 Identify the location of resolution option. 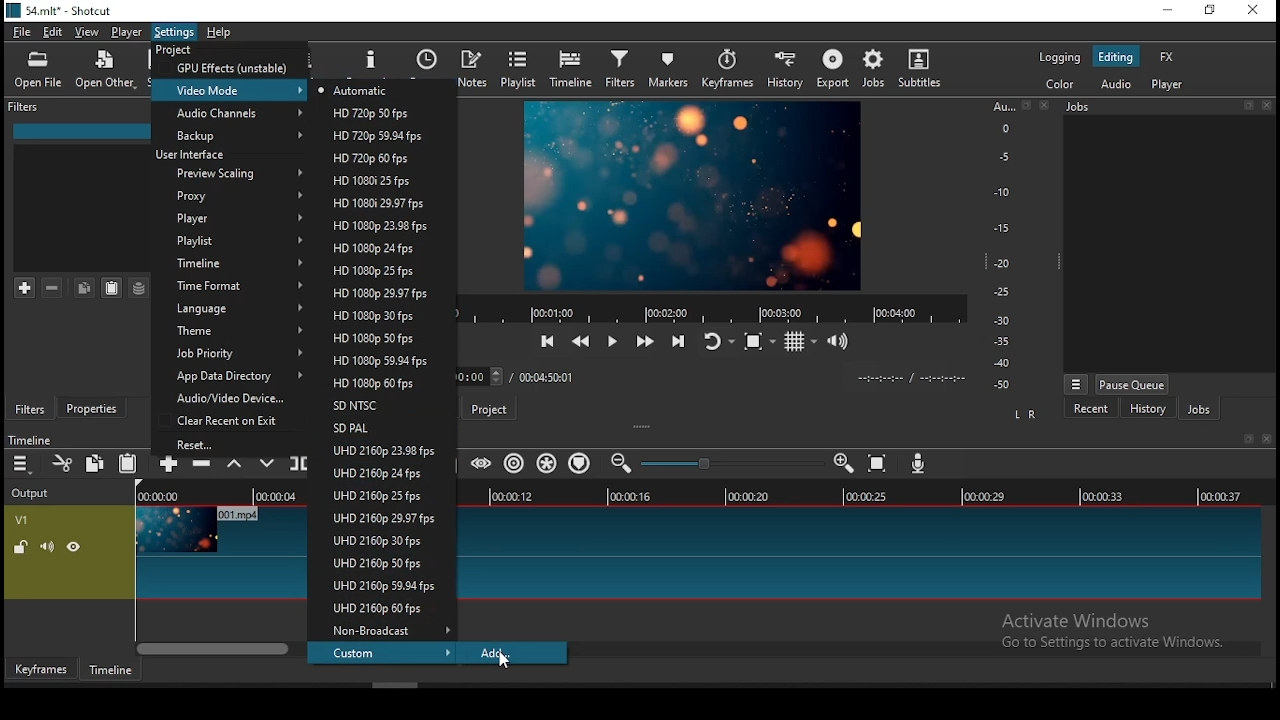
(377, 225).